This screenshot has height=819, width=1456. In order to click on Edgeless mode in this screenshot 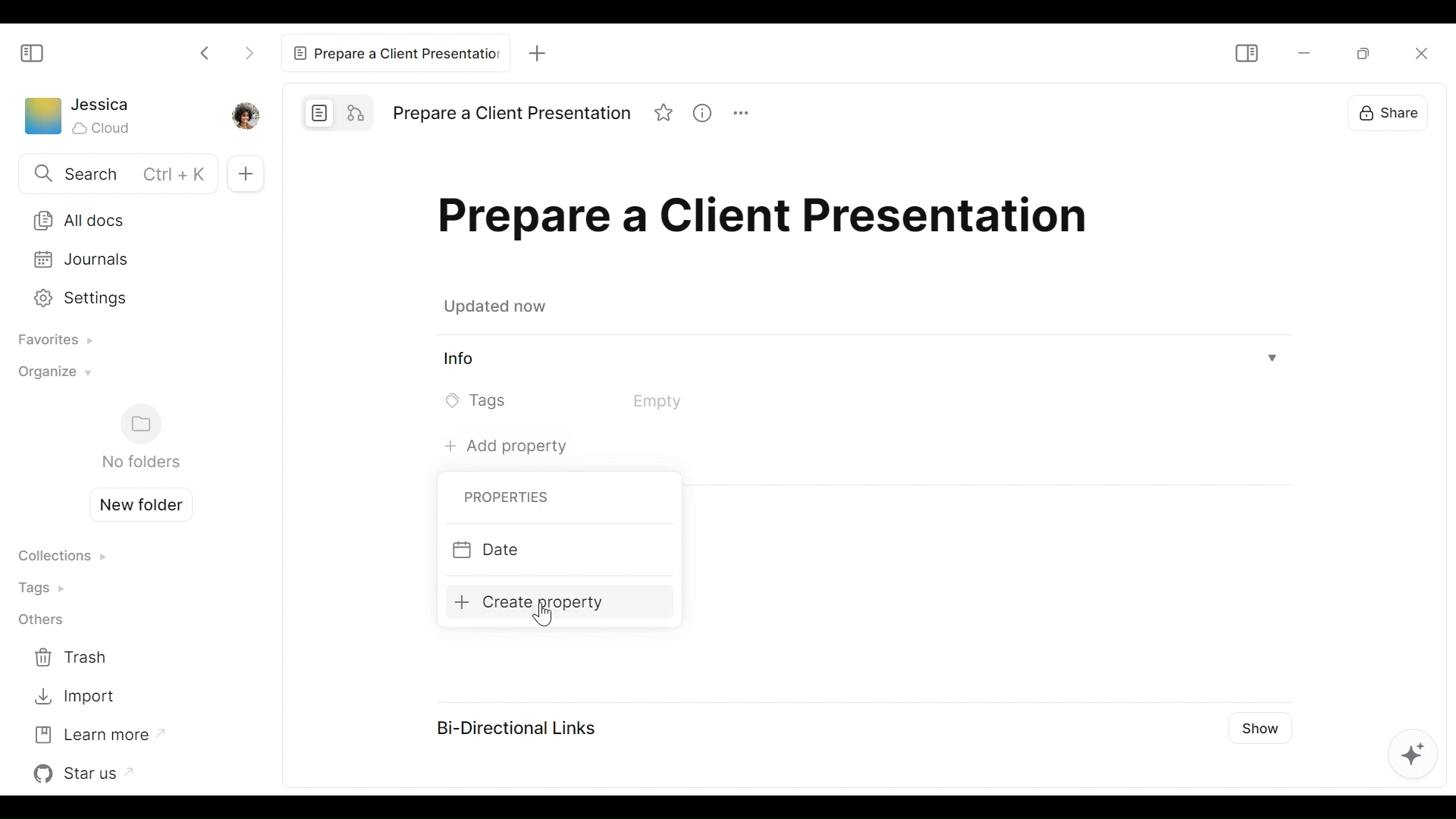, I will do `click(358, 111)`.